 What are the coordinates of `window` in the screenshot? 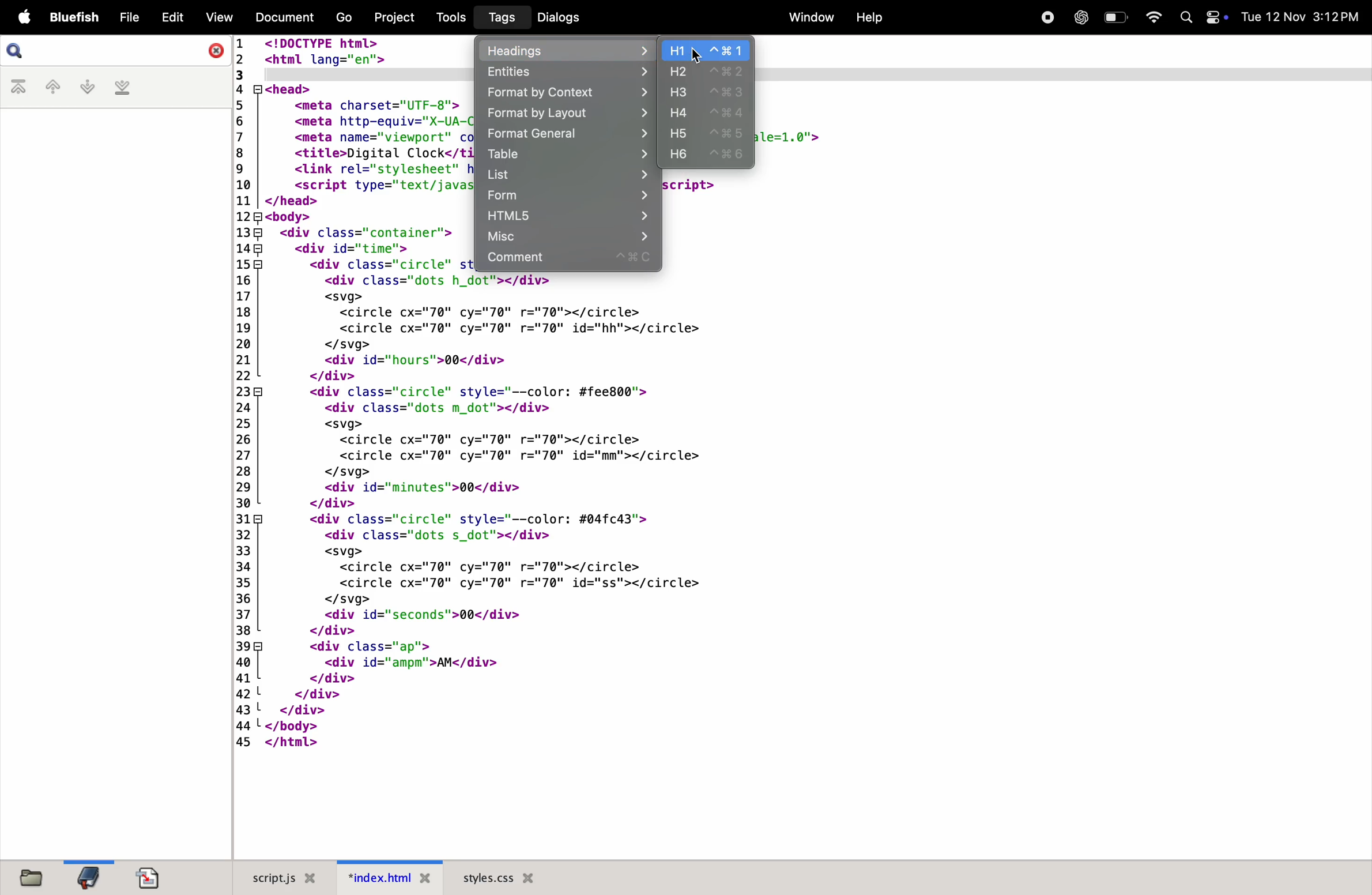 It's located at (807, 17).